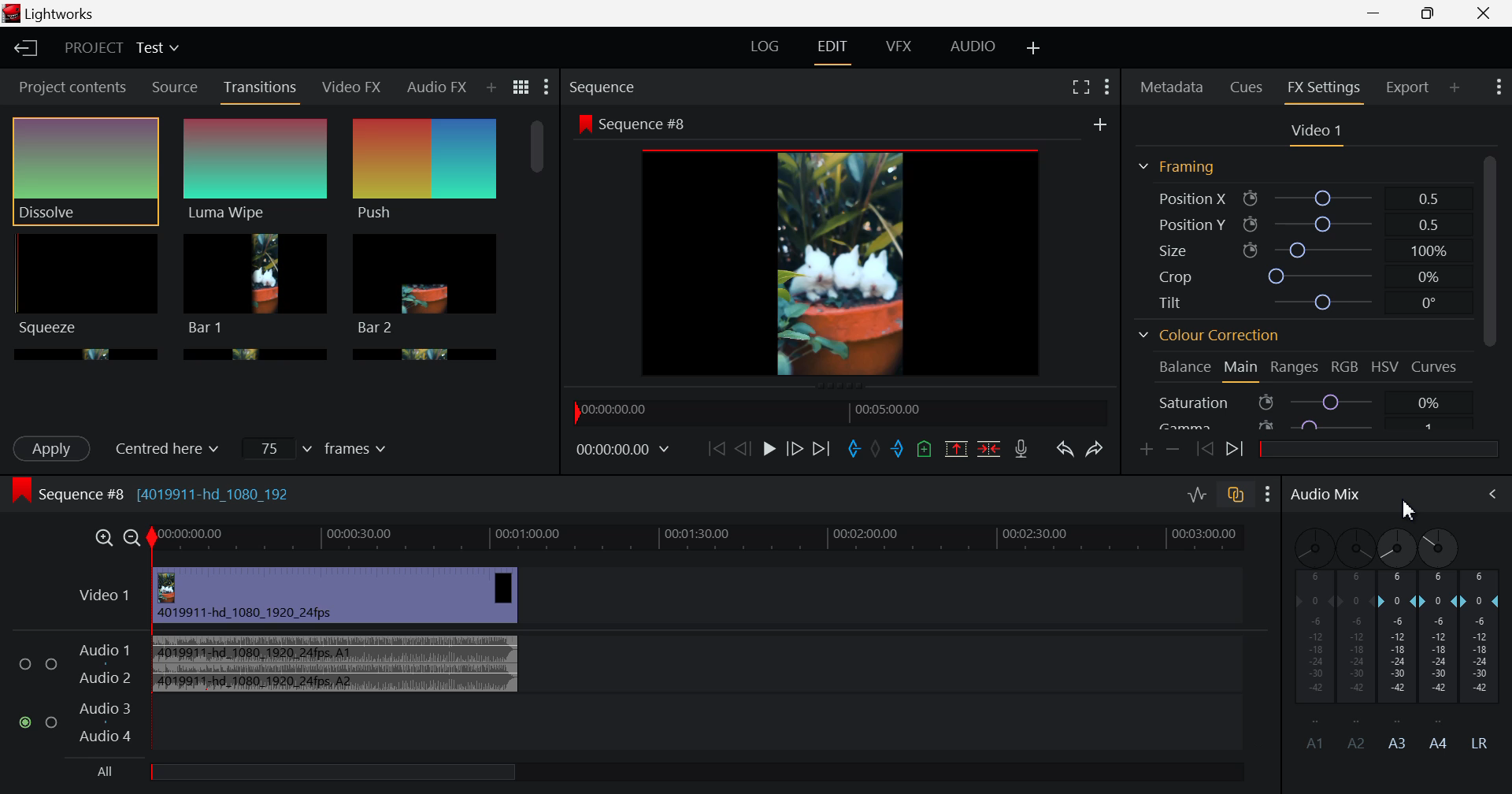 The image size is (1512, 794). What do you see at coordinates (1235, 451) in the screenshot?
I see `Next keyframe` at bounding box center [1235, 451].